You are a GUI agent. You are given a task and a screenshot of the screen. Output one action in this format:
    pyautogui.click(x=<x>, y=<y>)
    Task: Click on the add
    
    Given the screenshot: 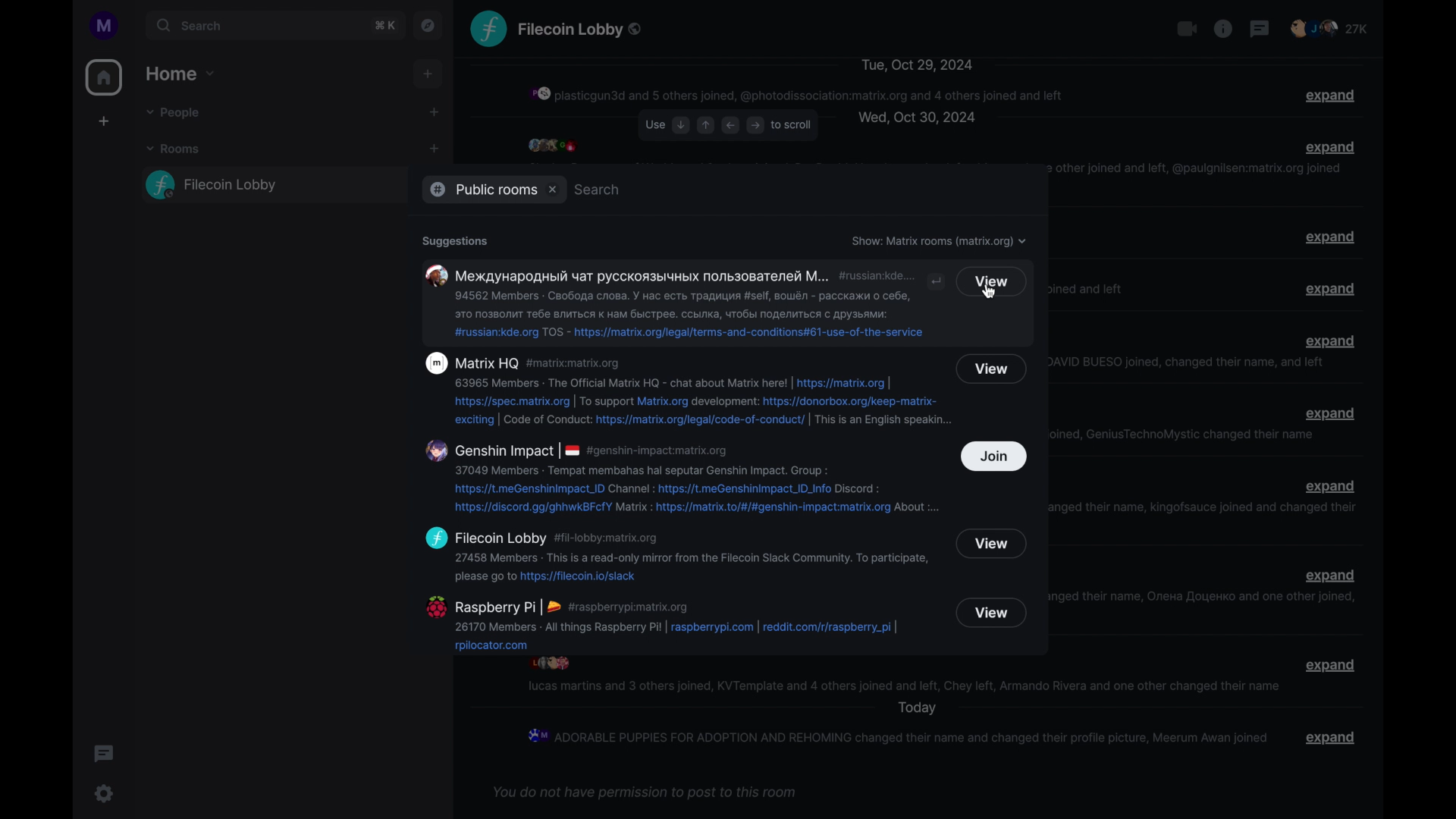 What is the action you would take?
    pyautogui.click(x=105, y=122)
    